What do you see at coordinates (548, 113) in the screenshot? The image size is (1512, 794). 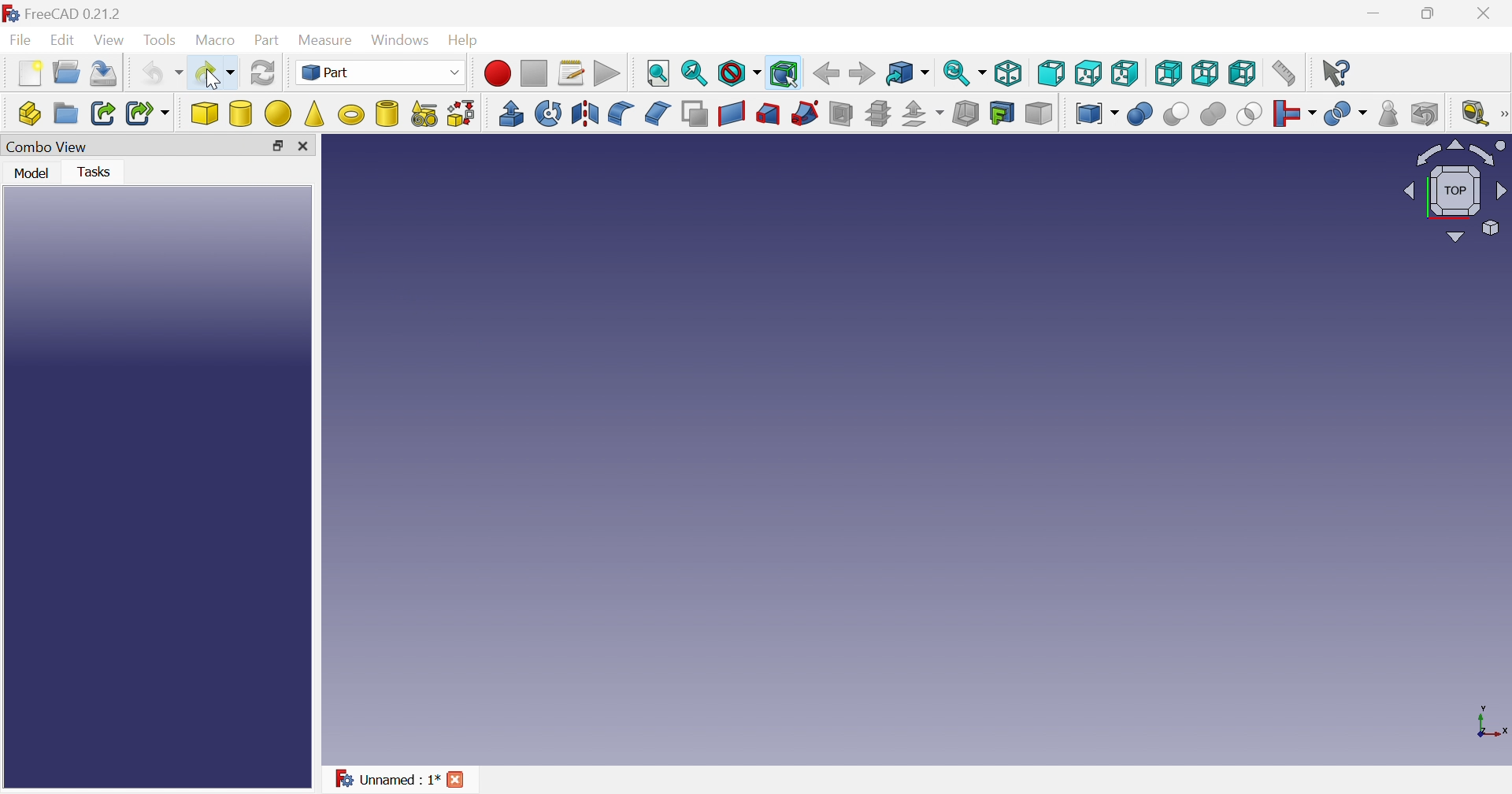 I see `Revolve...` at bounding box center [548, 113].